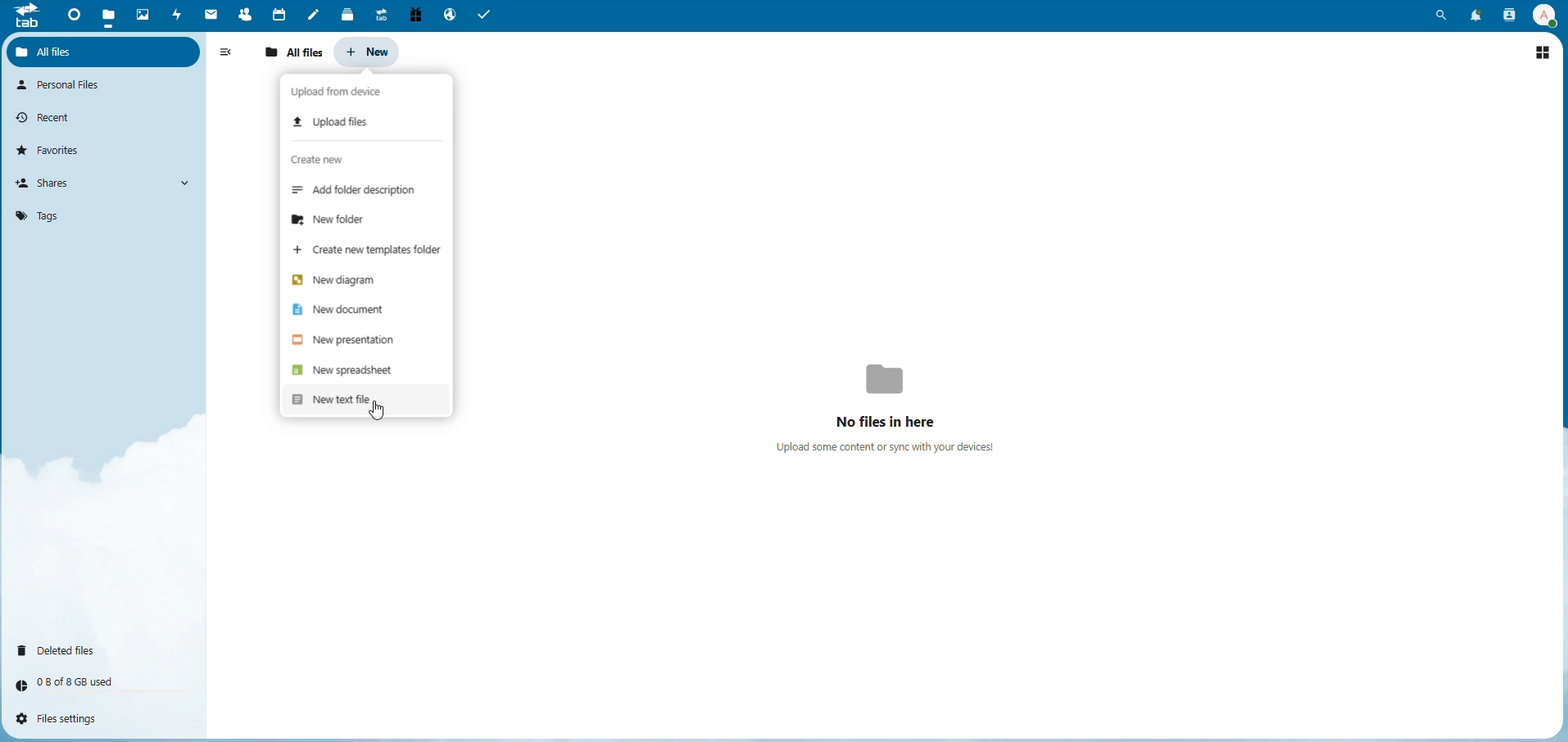  I want to click on Switch to grid view, so click(1543, 50).